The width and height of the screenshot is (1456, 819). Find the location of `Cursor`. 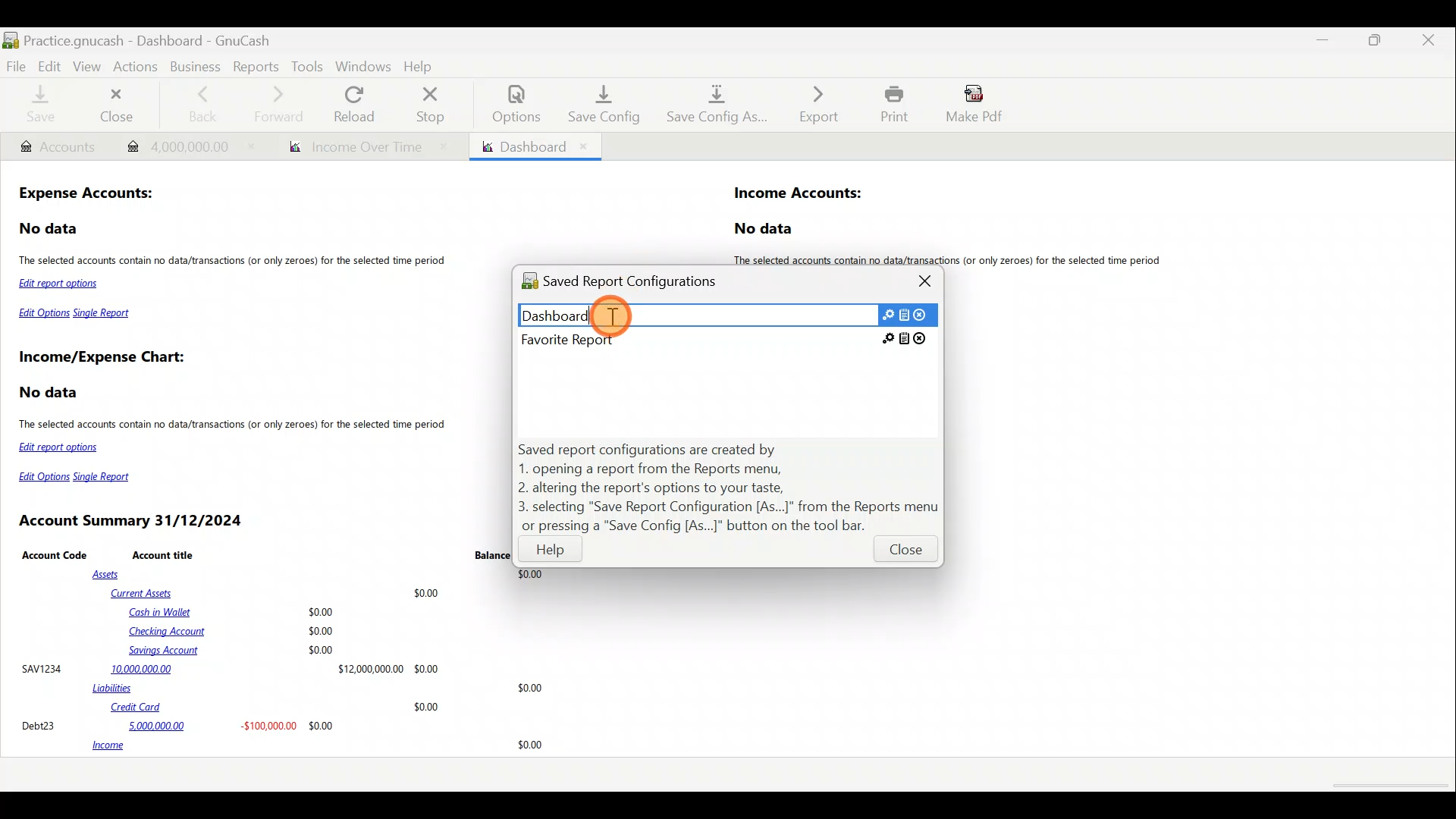

Cursor is located at coordinates (612, 314).